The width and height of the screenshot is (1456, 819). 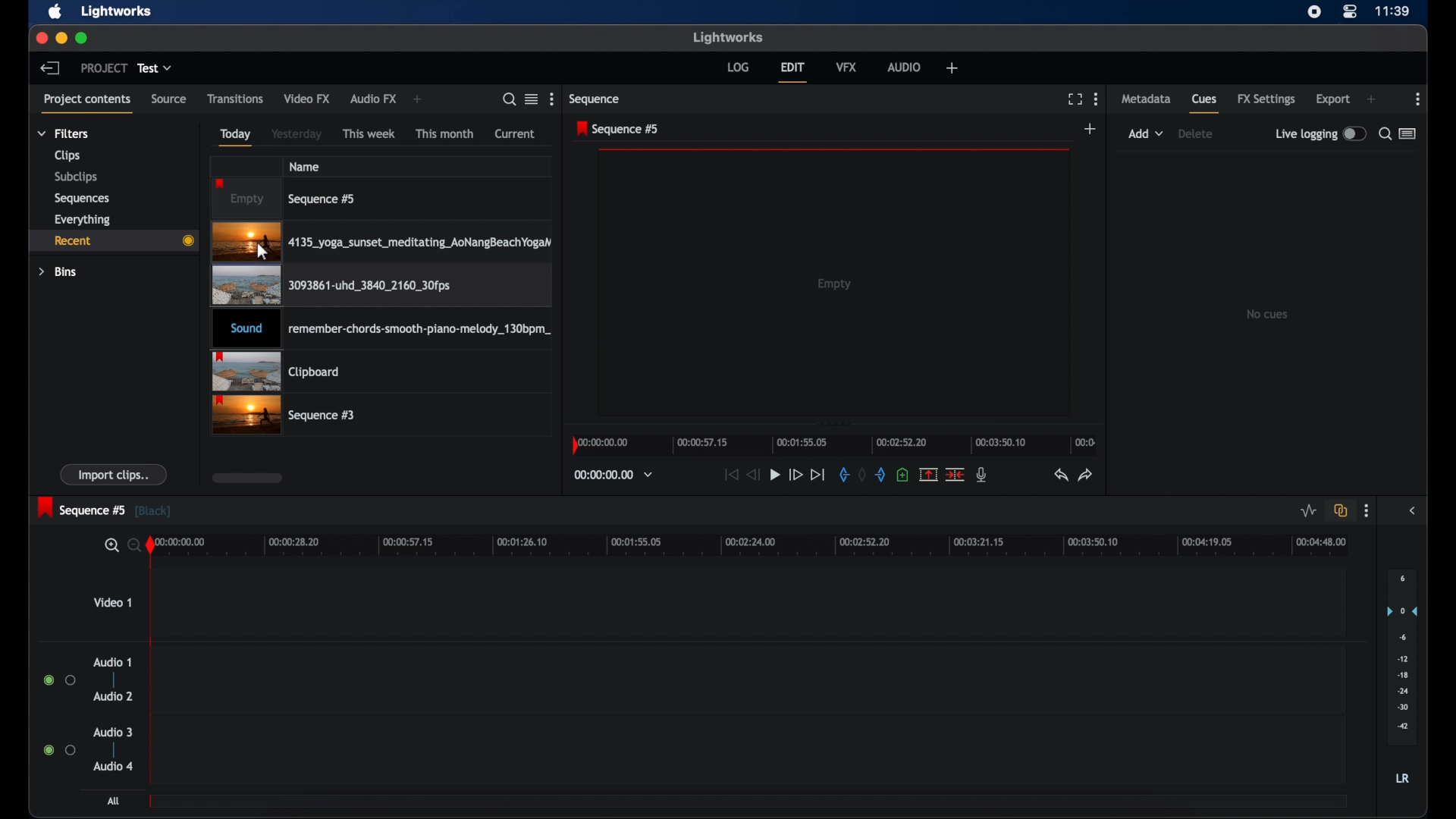 What do you see at coordinates (595, 101) in the screenshot?
I see `sequence` at bounding box center [595, 101].